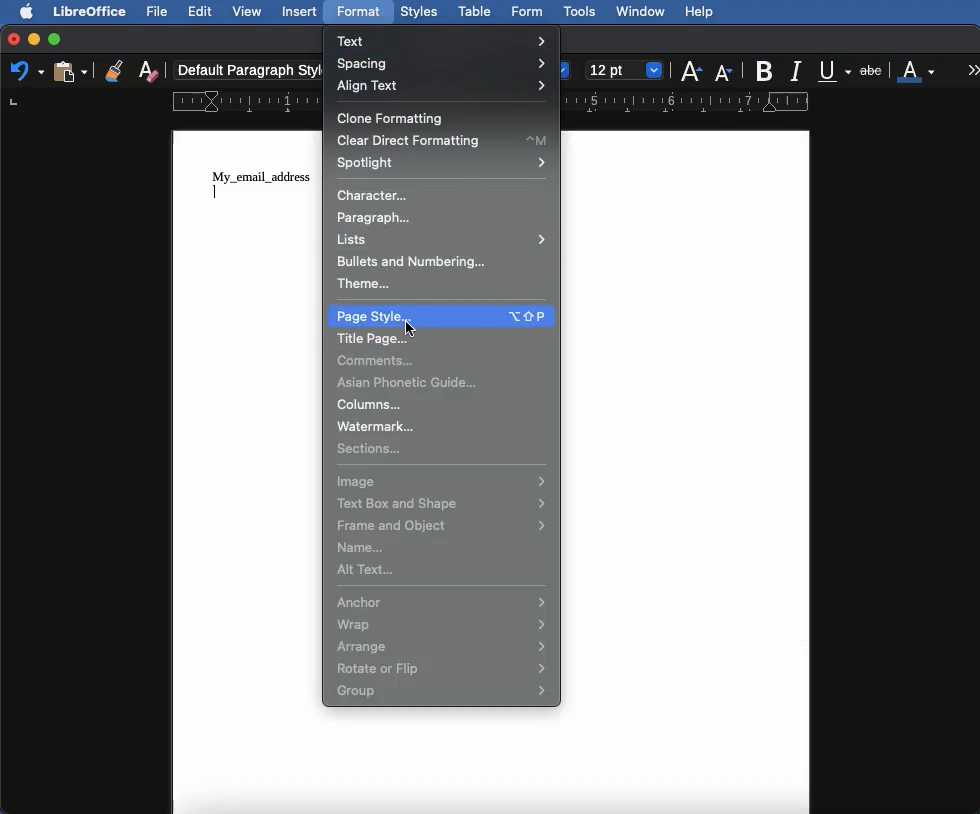 The image size is (980, 814). I want to click on Form, so click(527, 12).